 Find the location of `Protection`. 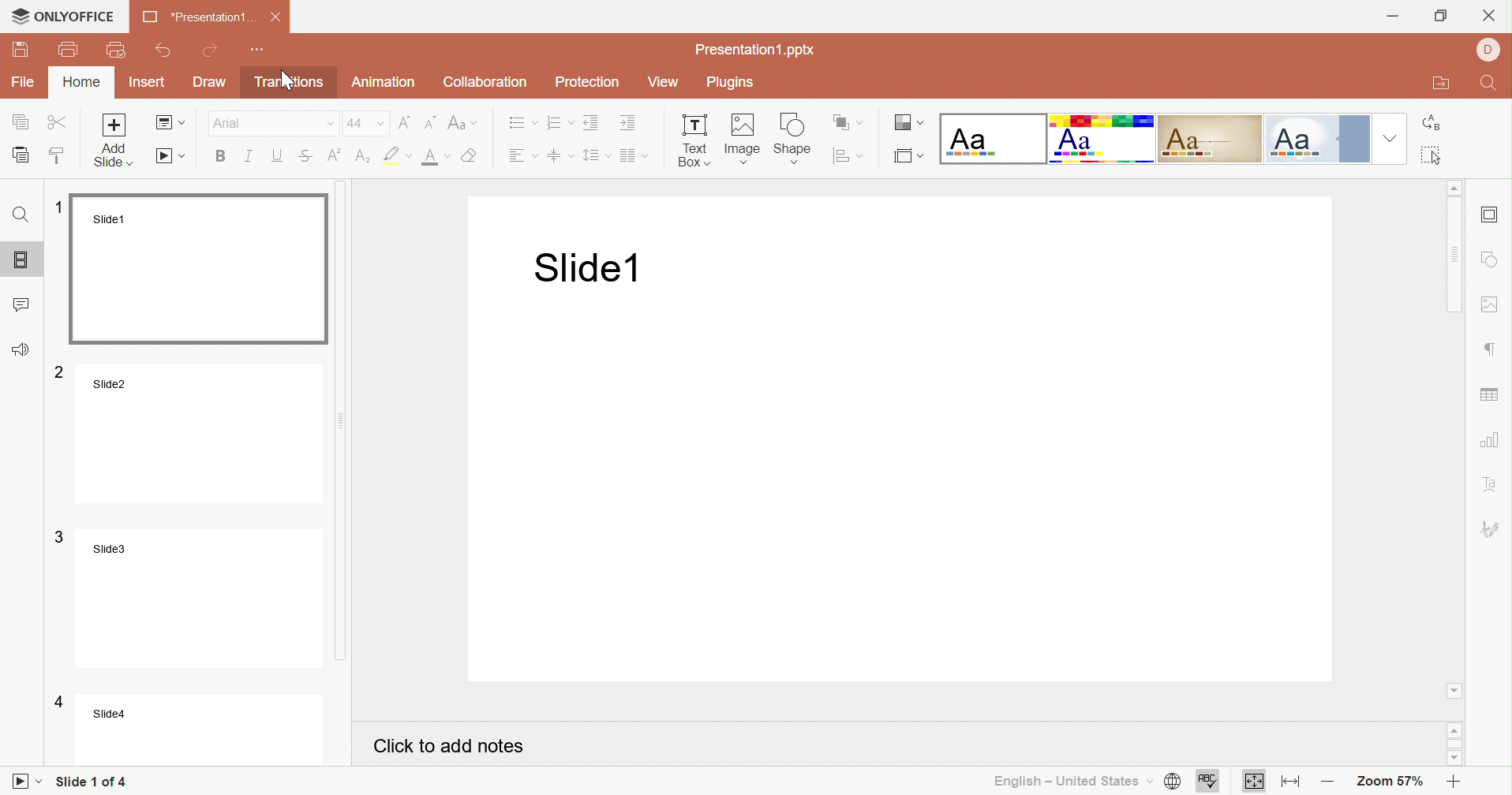

Protection is located at coordinates (588, 83).